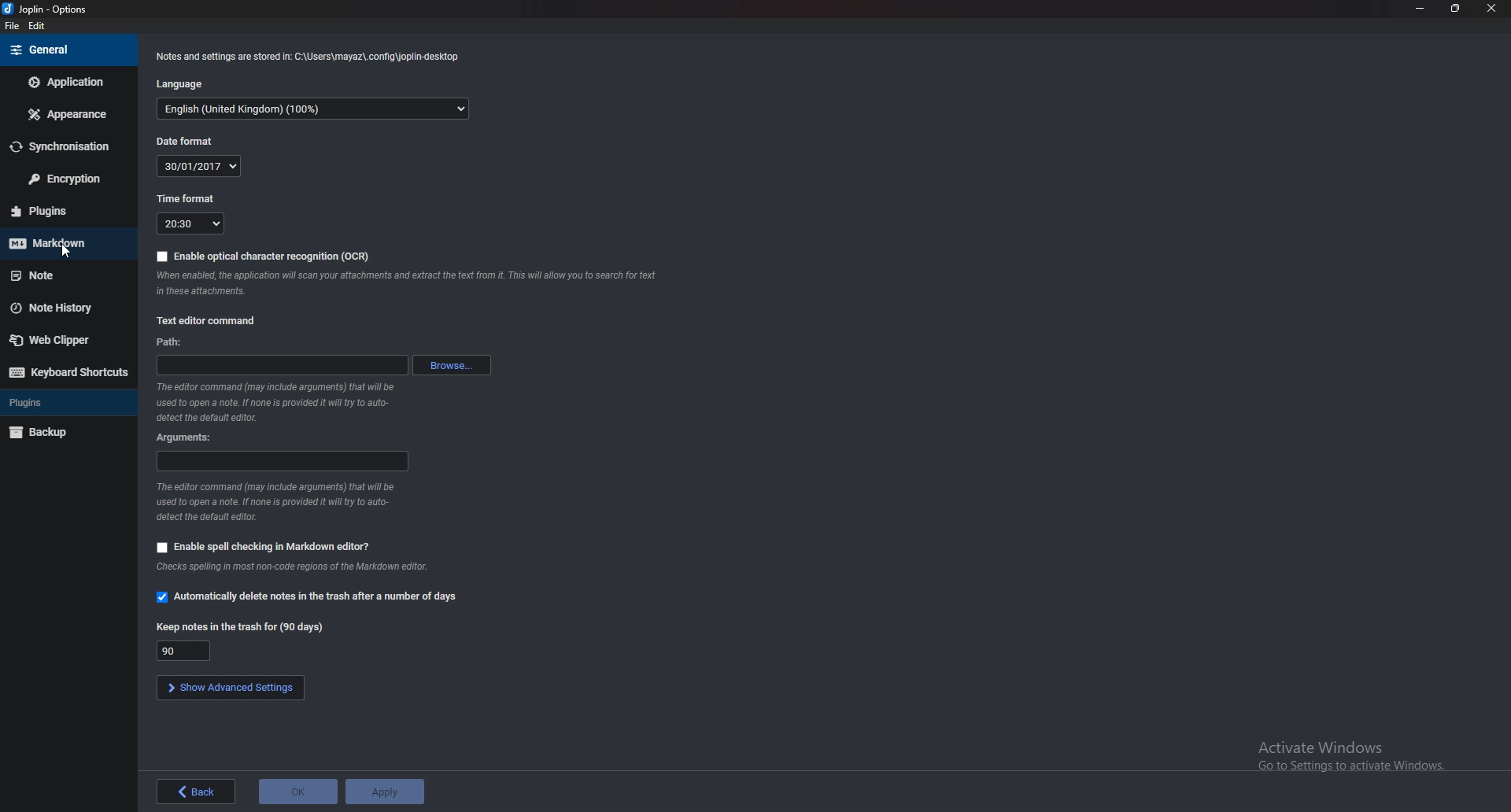 The image size is (1511, 812). What do you see at coordinates (266, 256) in the screenshot?
I see `Enable OCR` at bounding box center [266, 256].